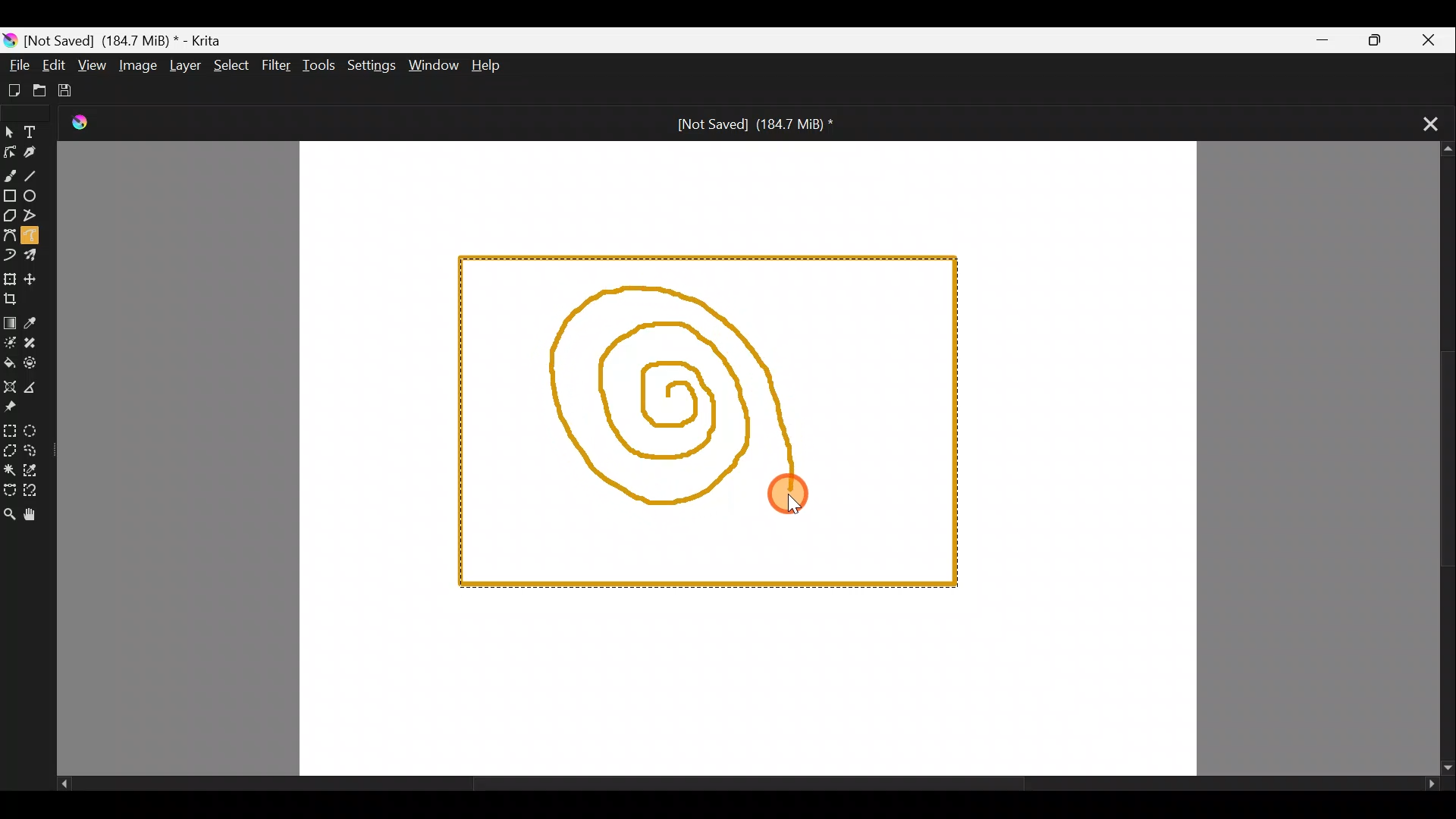  What do you see at coordinates (39, 259) in the screenshot?
I see `Multibrush tool` at bounding box center [39, 259].